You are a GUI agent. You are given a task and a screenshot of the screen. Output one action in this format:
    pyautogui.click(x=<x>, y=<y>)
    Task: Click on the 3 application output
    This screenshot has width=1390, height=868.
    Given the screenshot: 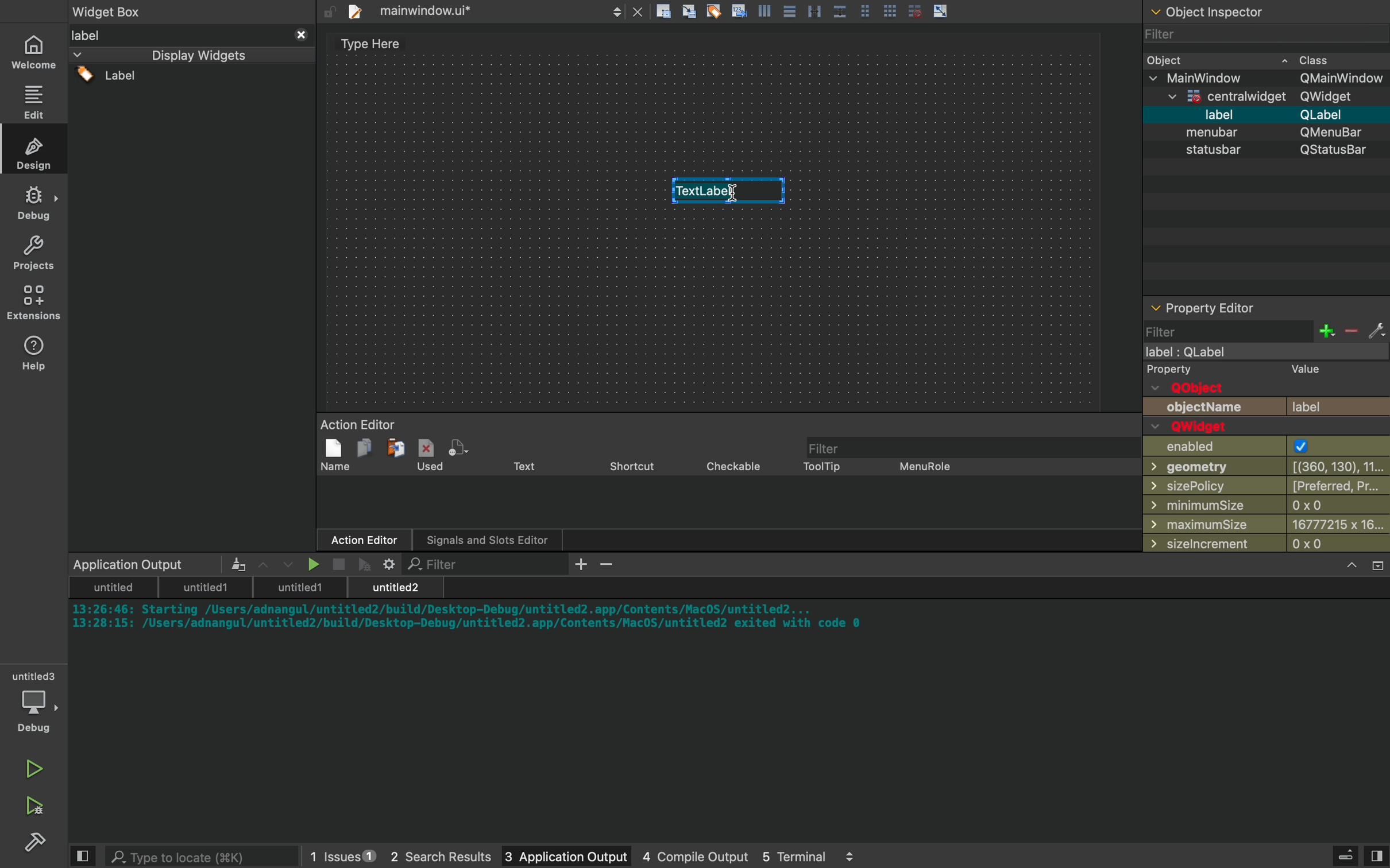 What is the action you would take?
    pyautogui.click(x=550, y=857)
    